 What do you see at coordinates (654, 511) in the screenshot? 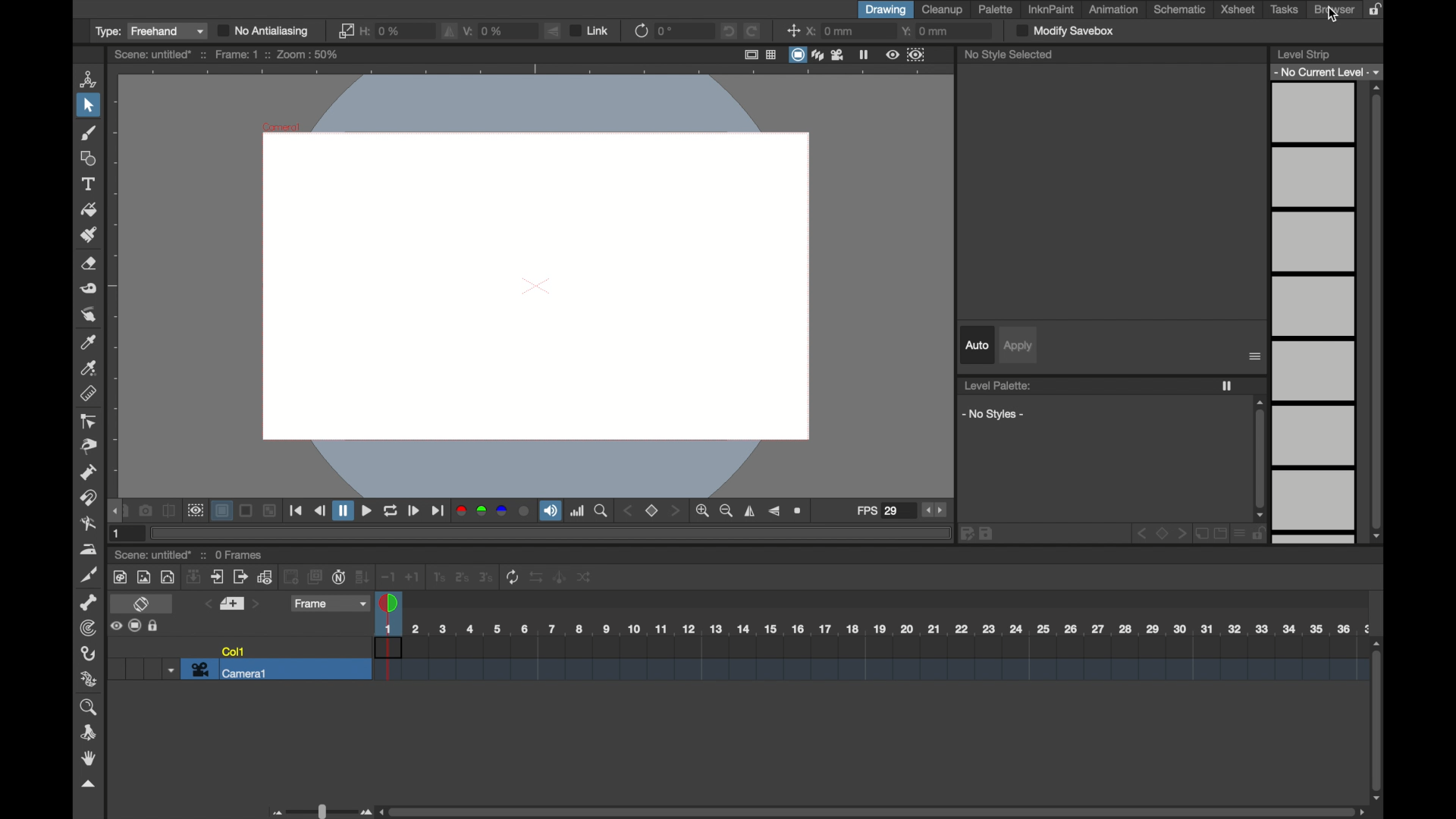
I see `stop` at bounding box center [654, 511].